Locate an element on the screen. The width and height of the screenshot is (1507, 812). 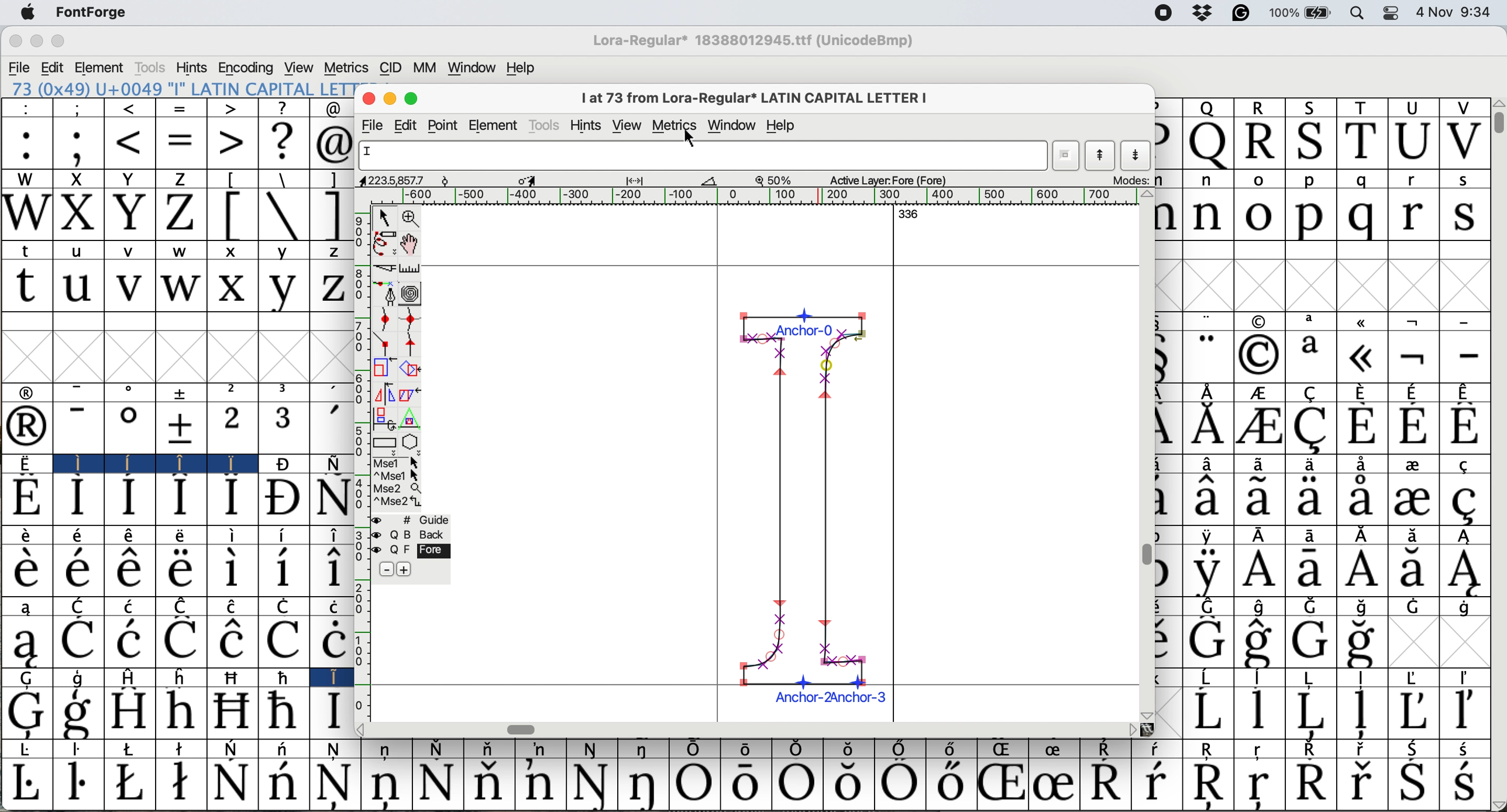
I is located at coordinates (75, 463).